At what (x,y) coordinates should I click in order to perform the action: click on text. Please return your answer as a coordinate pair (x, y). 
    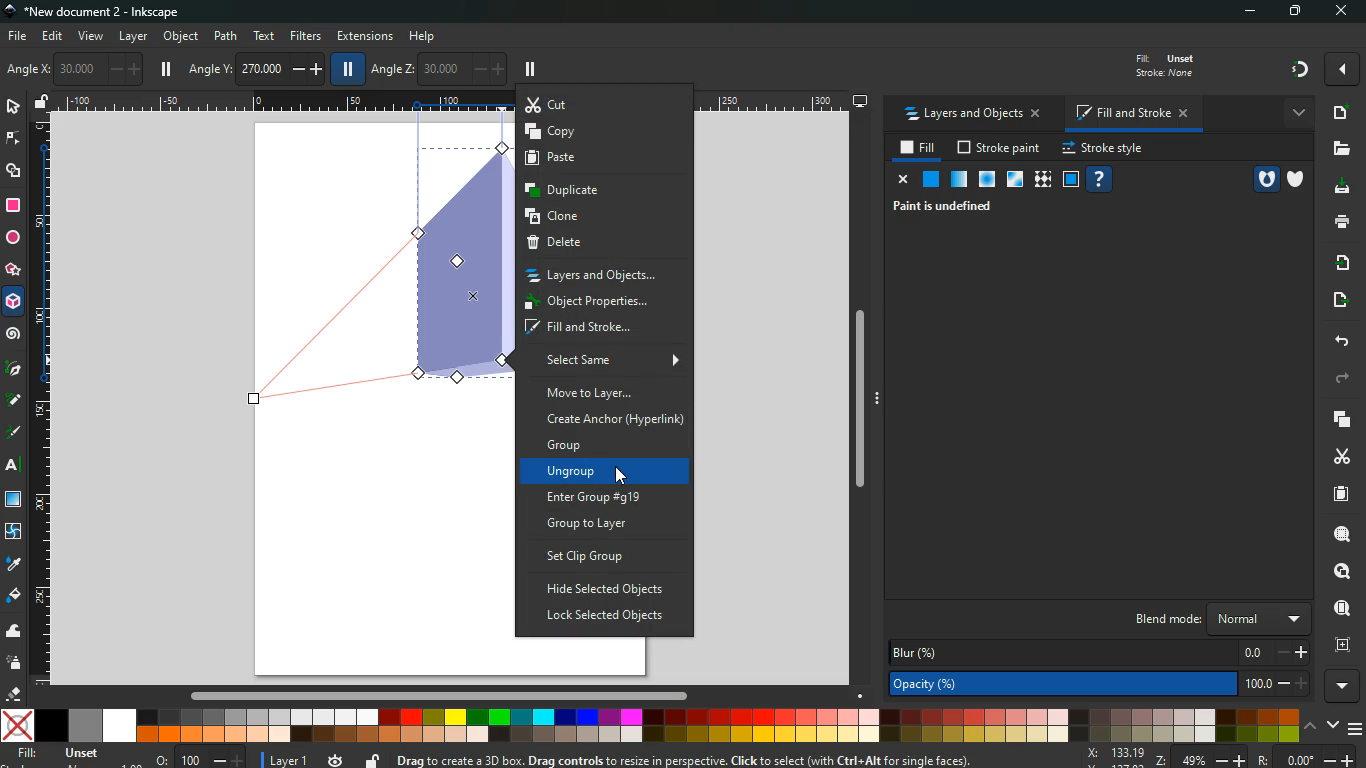
    Looking at the image, I should click on (15, 467).